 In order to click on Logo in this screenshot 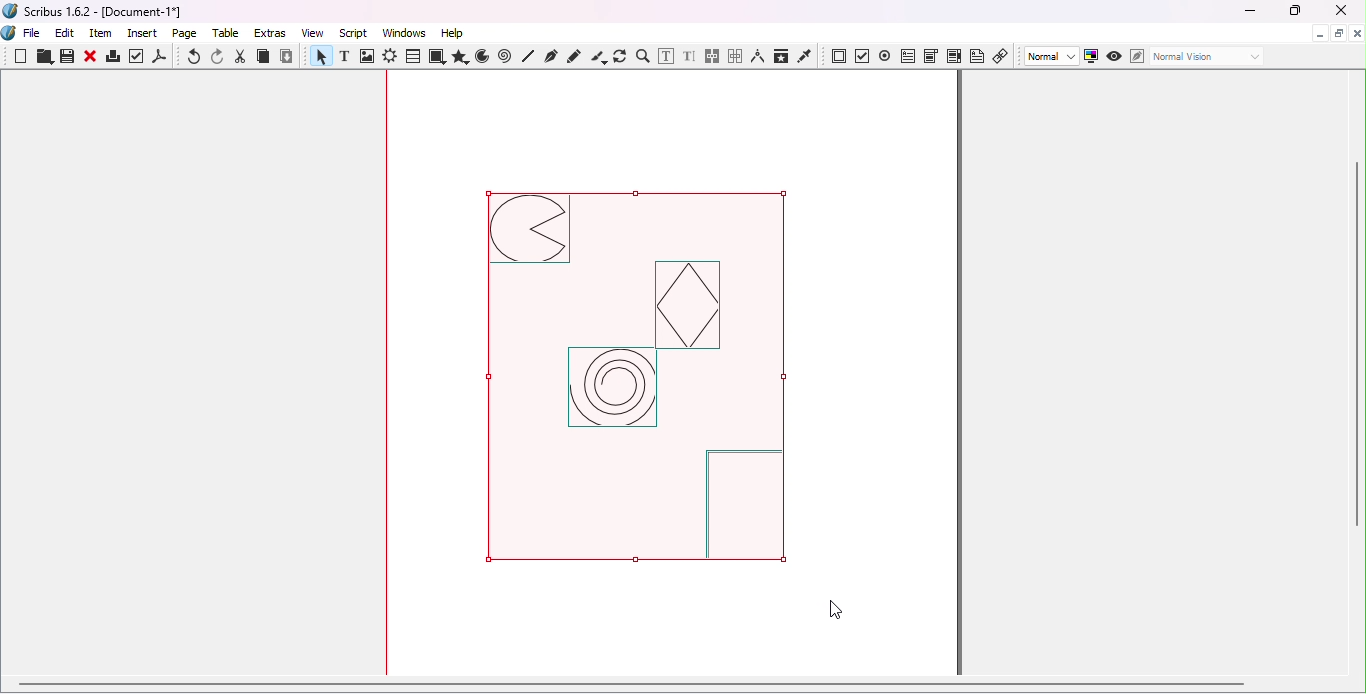, I will do `click(10, 34)`.